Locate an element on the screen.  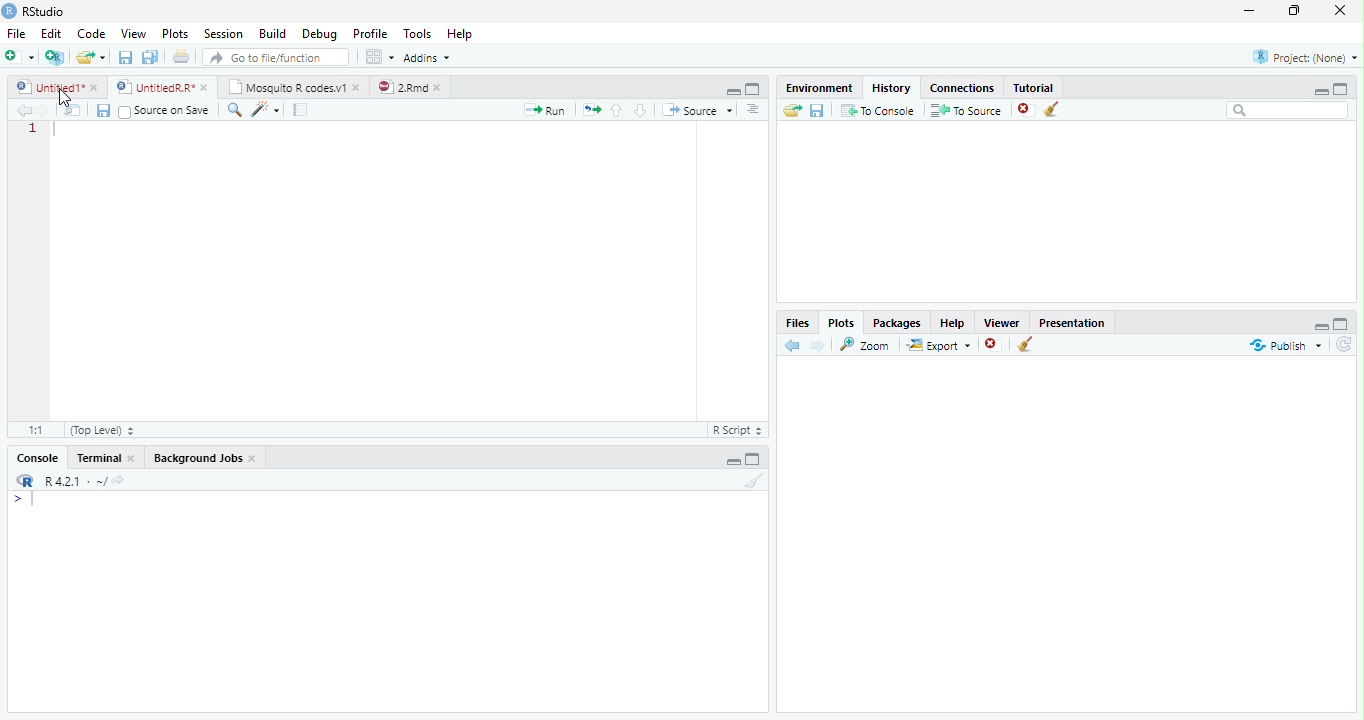
Maximize is located at coordinates (1299, 12).